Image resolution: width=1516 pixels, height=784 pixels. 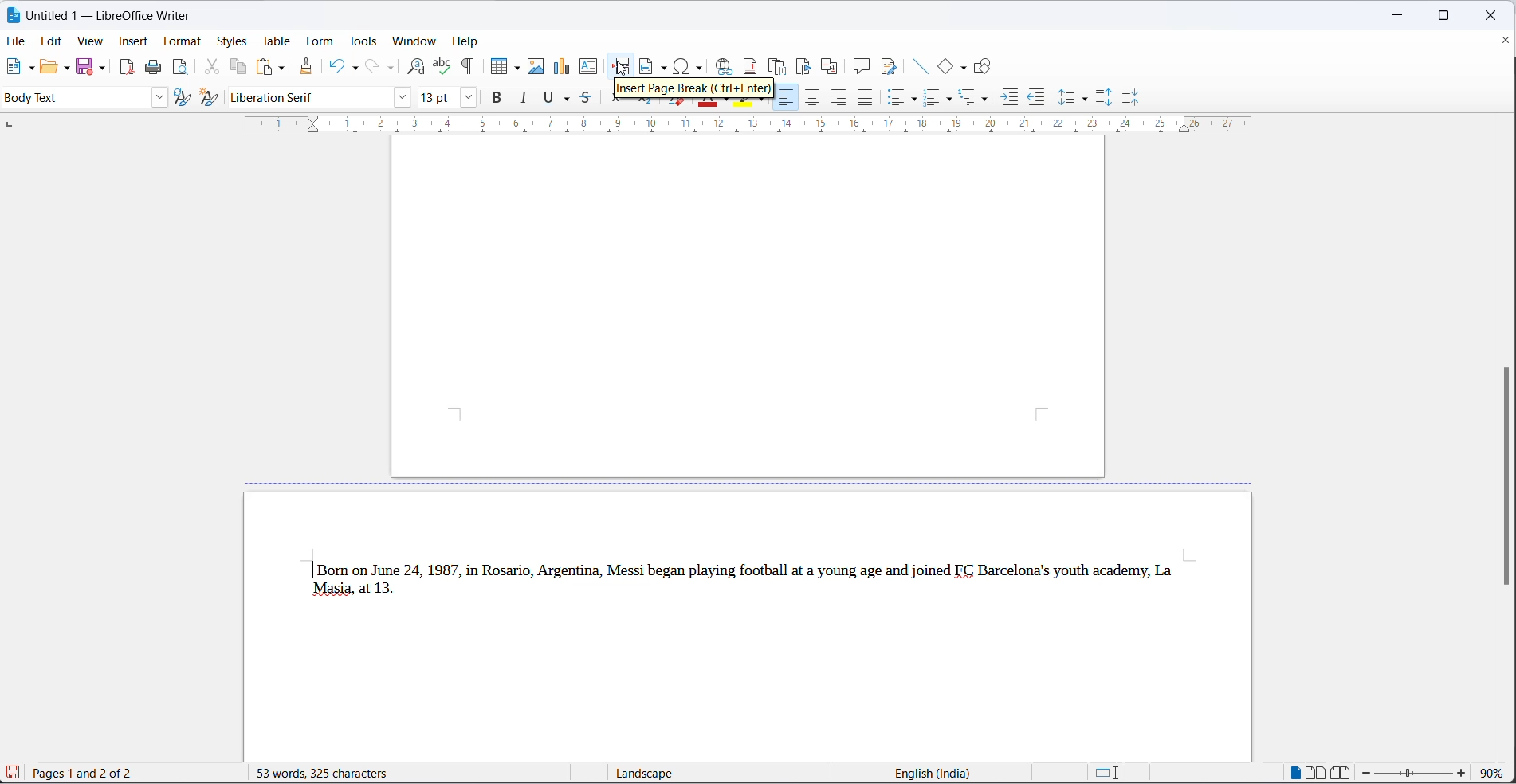 I want to click on style dropdown button, so click(x=158, y=98).